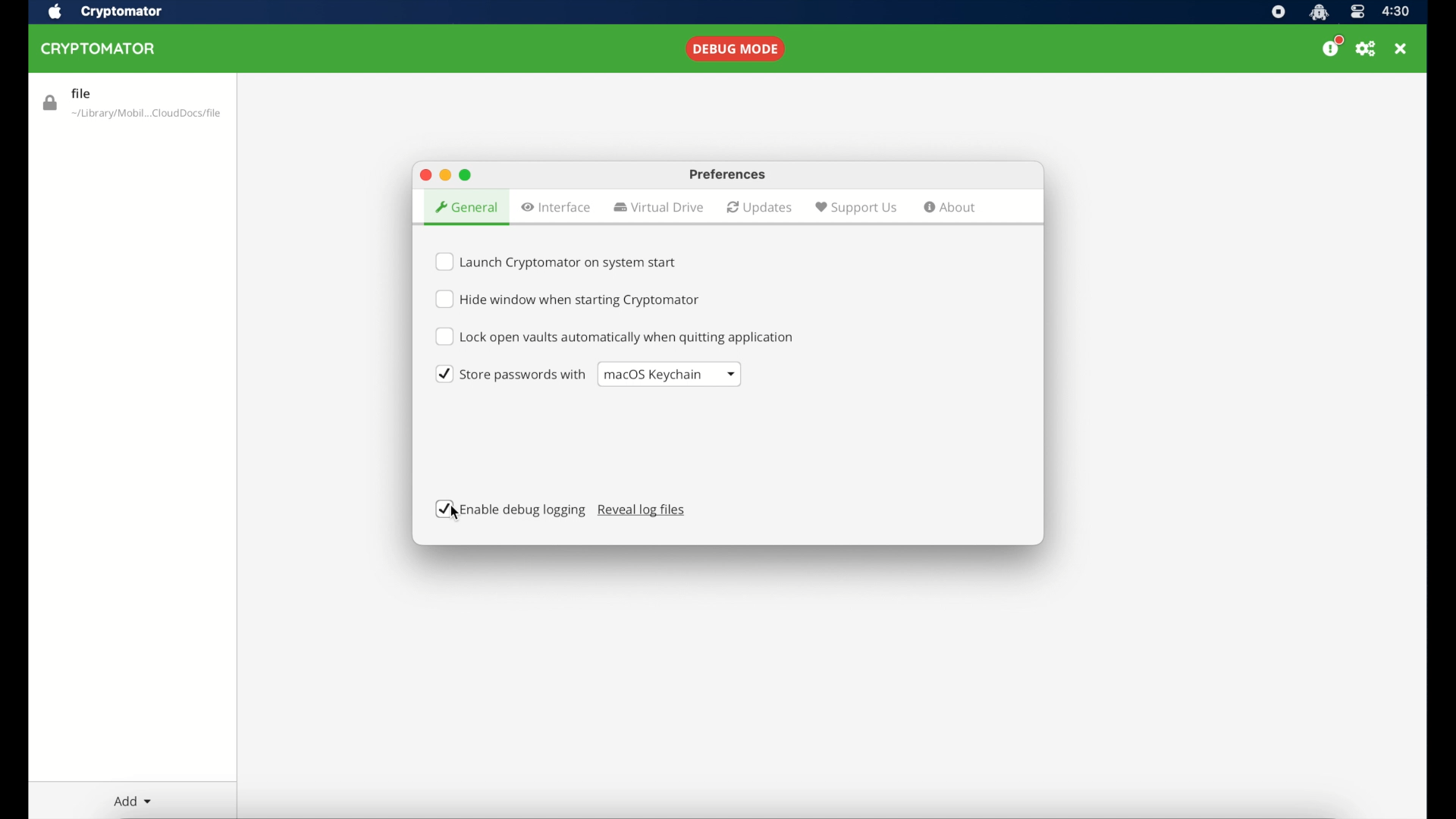  I want to click on Launch Cryptomator on system start, so click(559, 259).